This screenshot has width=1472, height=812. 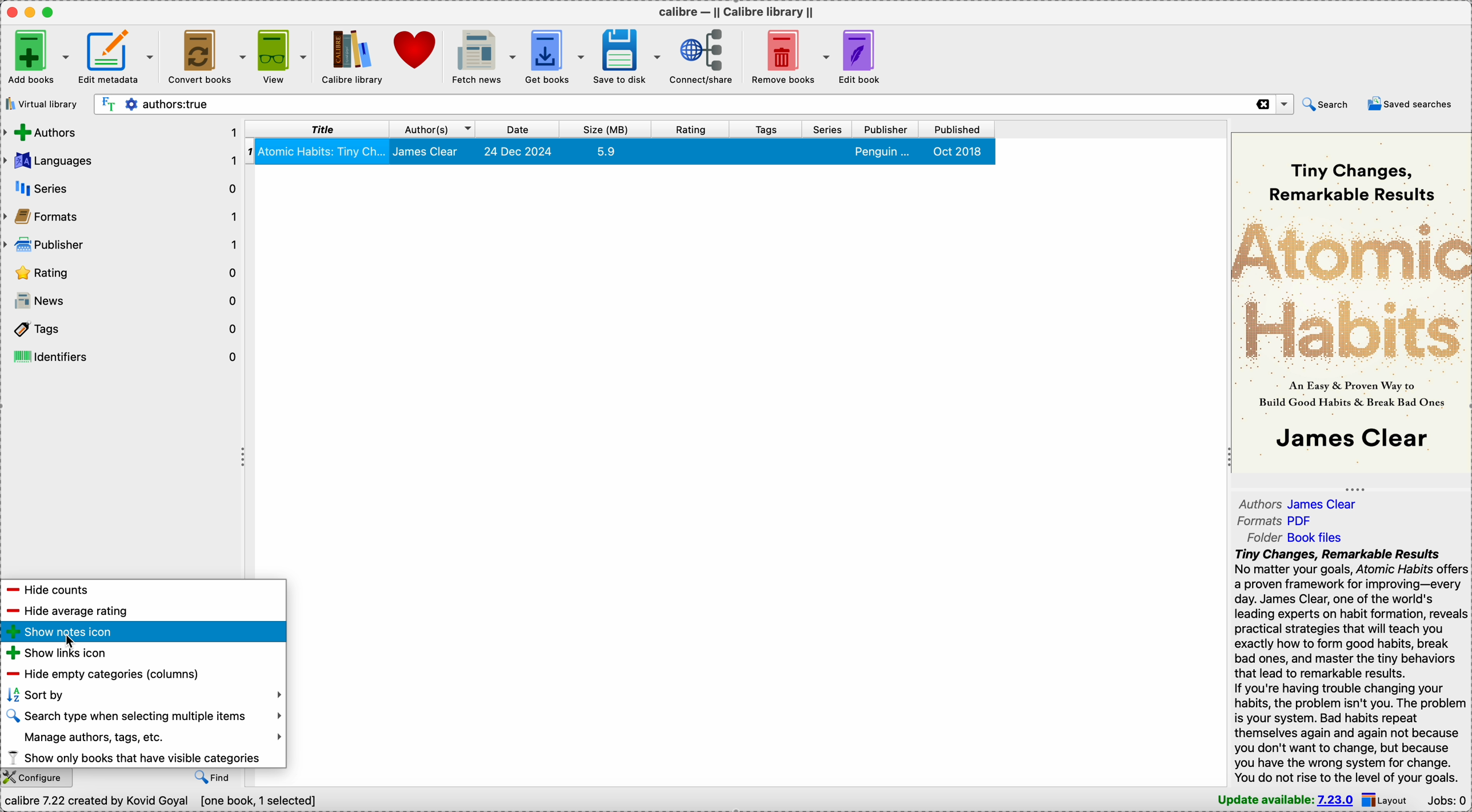 I want to click on hide counts, so click(x=49, y=587).